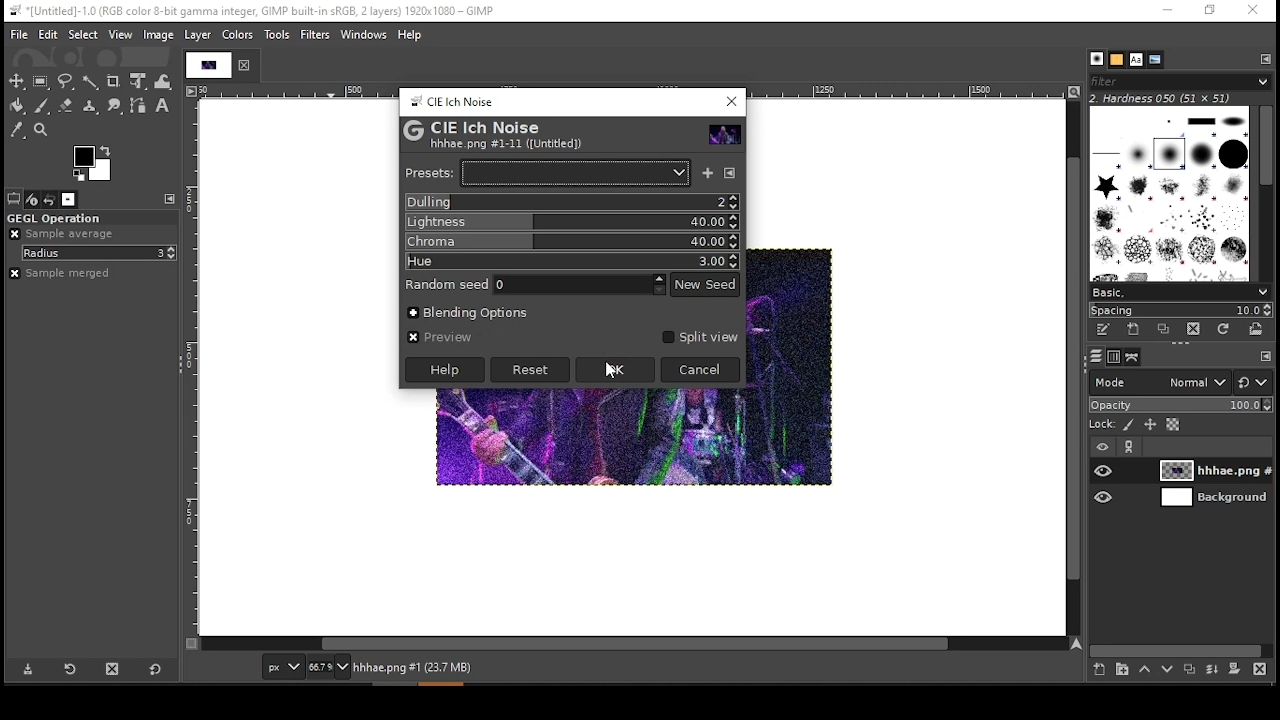  What do you see at coordinates (112, 668) in the screenshot?
I see `delete tool preset` at bounding box center [112, 668].